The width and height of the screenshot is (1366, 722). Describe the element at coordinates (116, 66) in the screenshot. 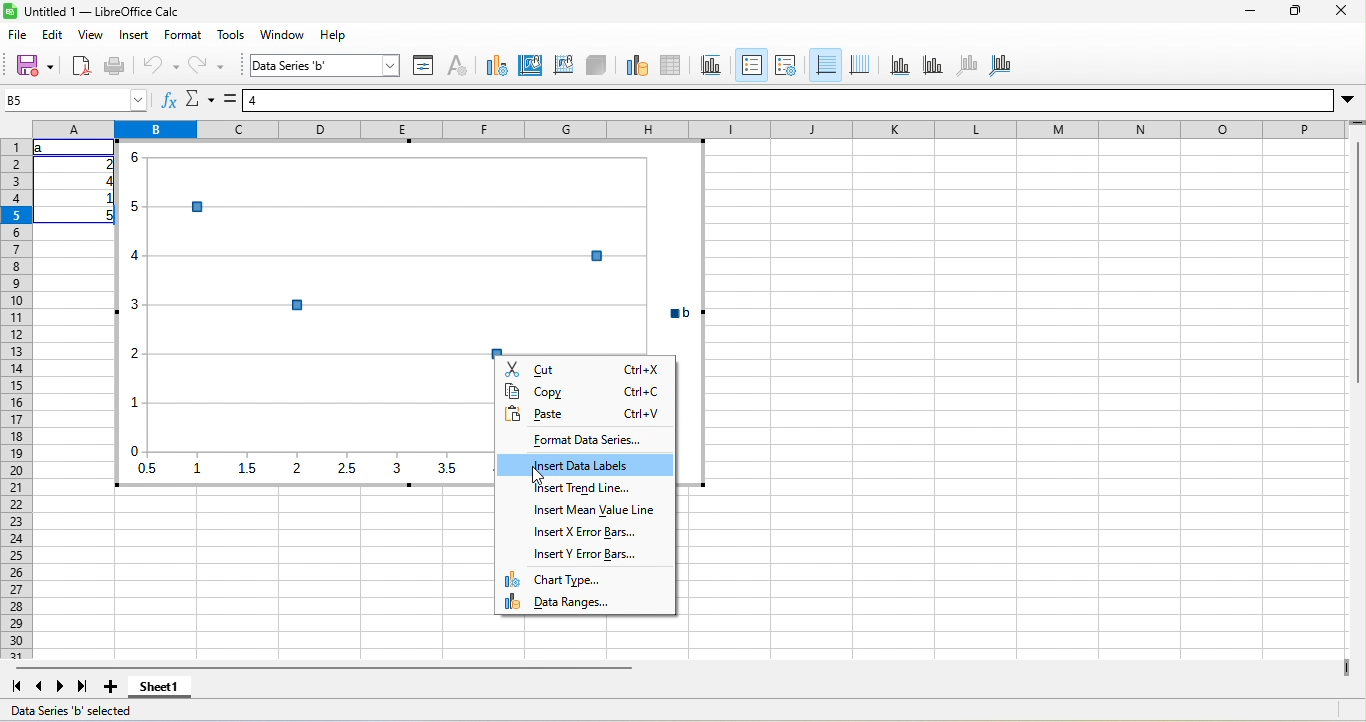

I see `print` at that location.